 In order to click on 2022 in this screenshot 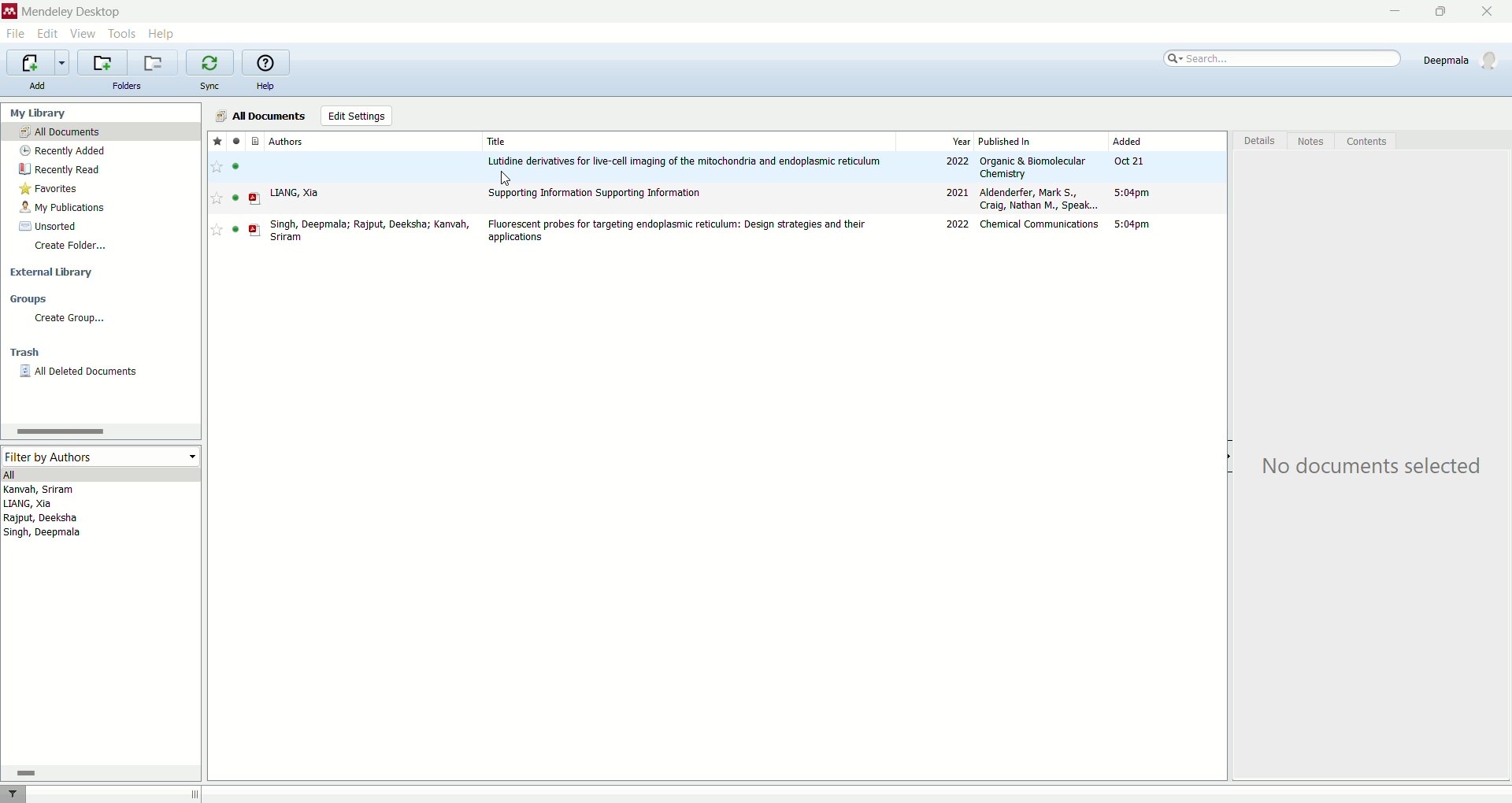, I will do `click(957, 224)`.